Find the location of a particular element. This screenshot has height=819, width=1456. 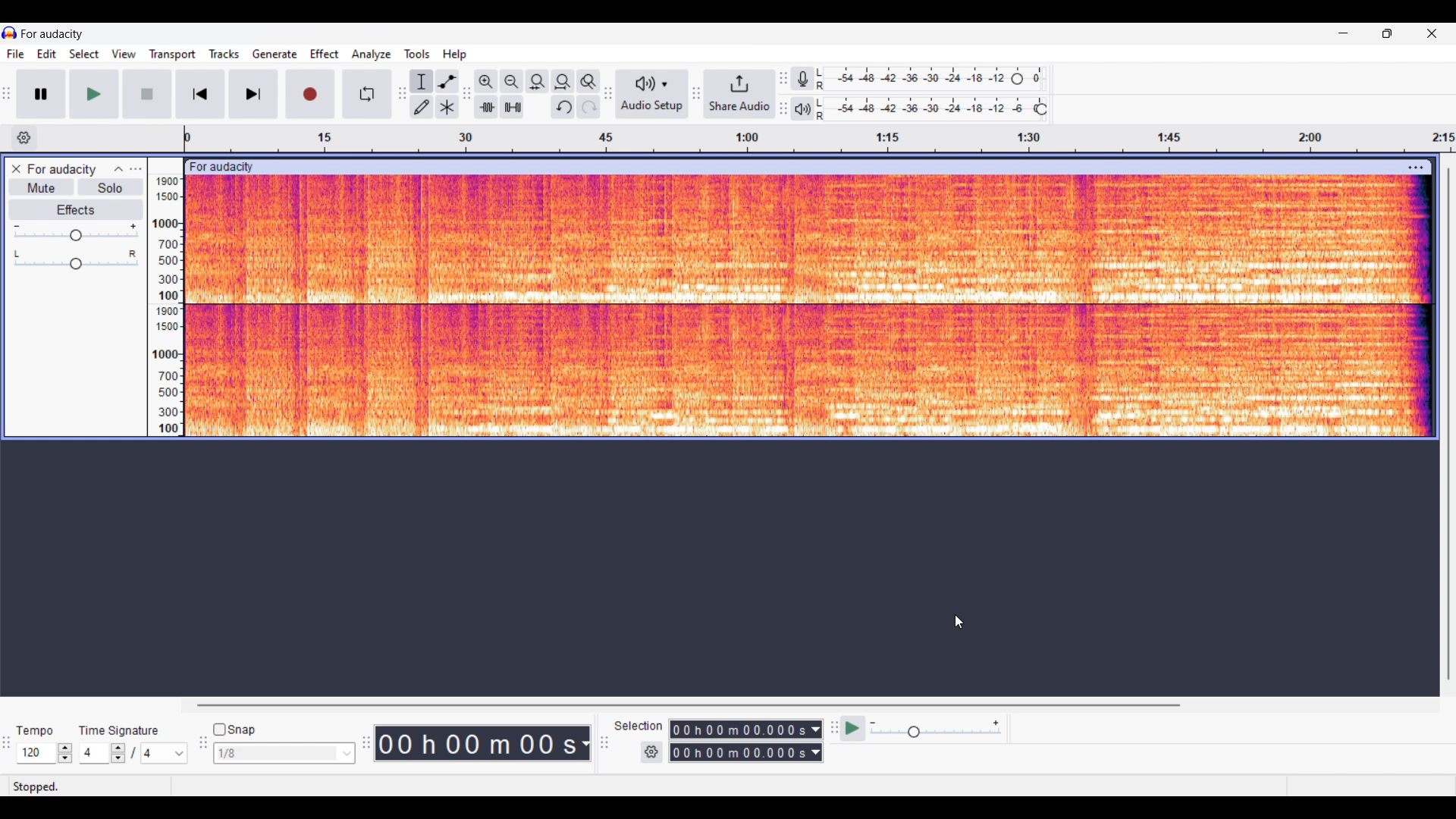

Project name is located at coordinates (52, 34).